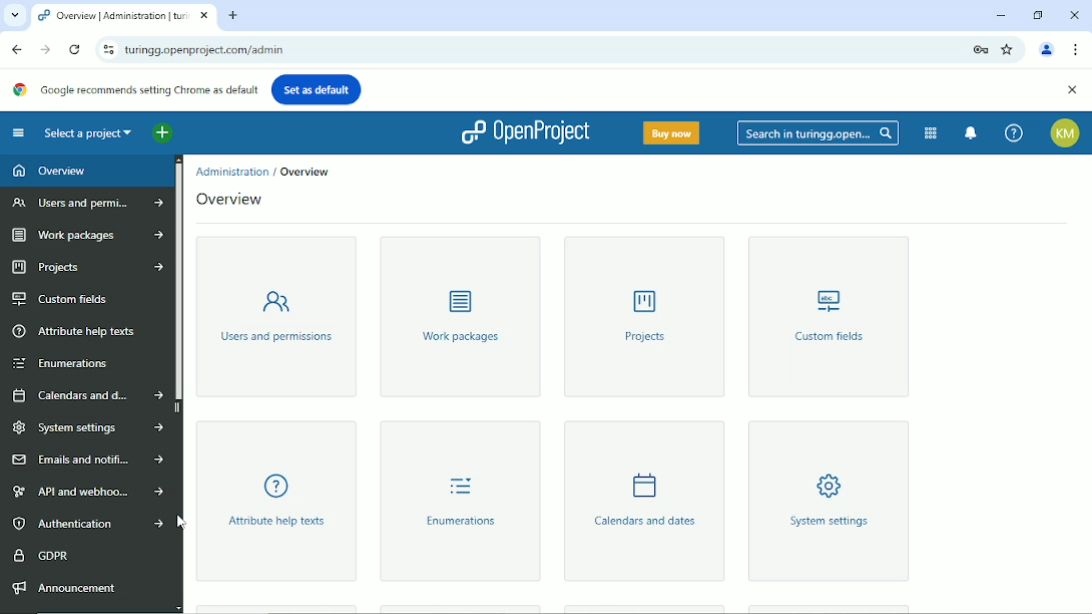 The height and width of the screenshot is (614, 1092). What do you see at coordinates (538, 50) in the screenshot?
I see `current site link : turingg.openproject.com/admin` at bounding box center [538, 50].